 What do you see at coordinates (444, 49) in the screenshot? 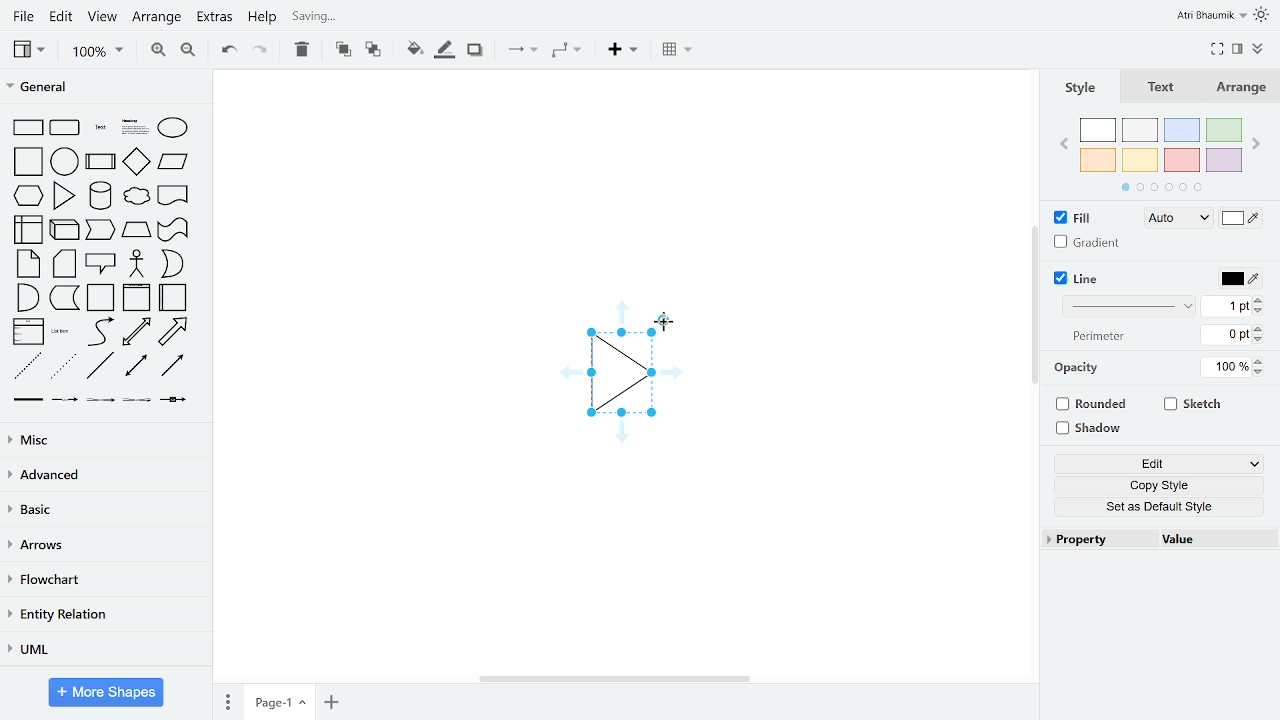
I see `fill line` at bounding box center [444, 49].